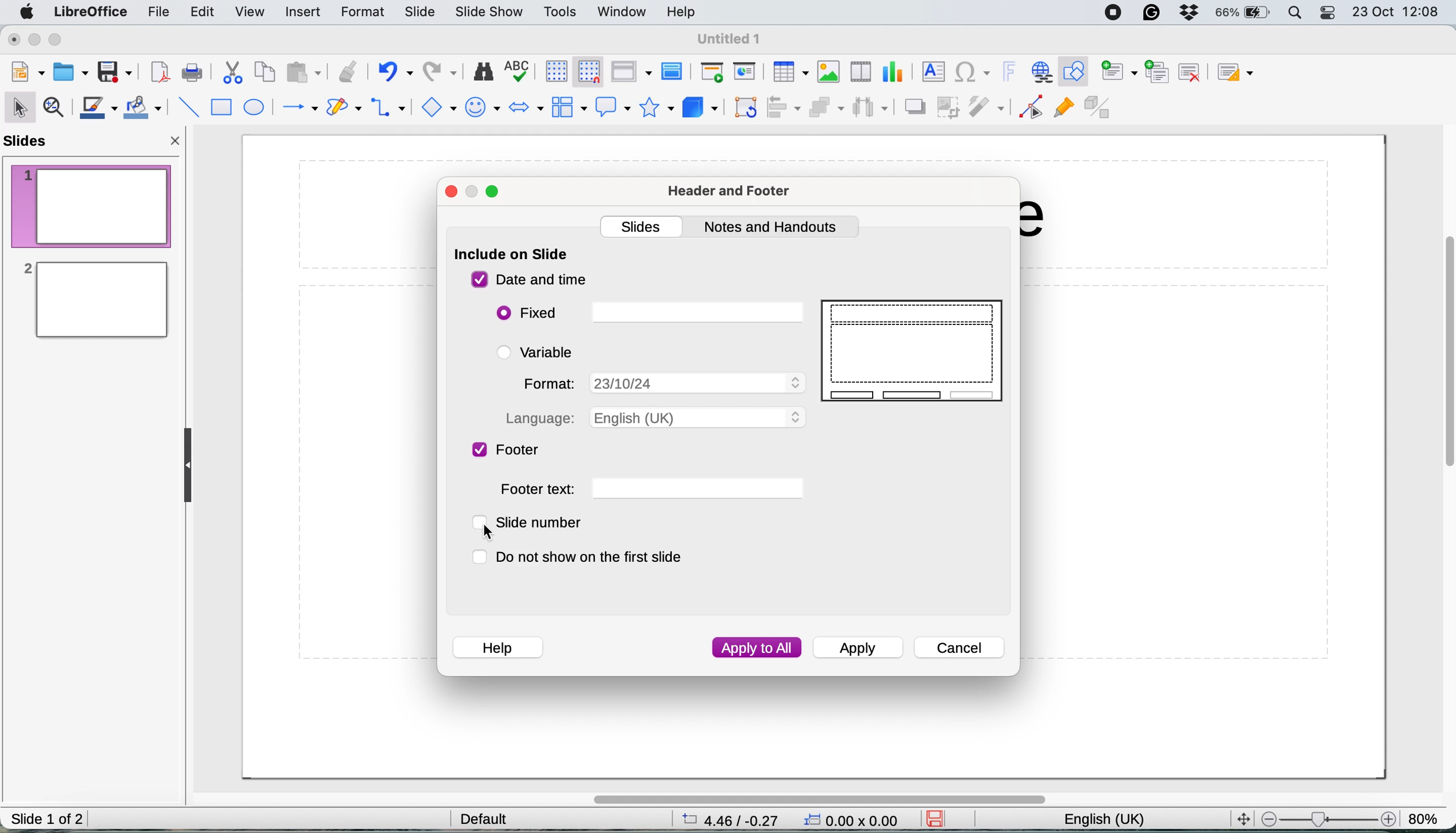 The image size is (1456, 833). Describe the element at coordinates (1009, 72) in the screenshot. I see `insert fontwork text` at that location.